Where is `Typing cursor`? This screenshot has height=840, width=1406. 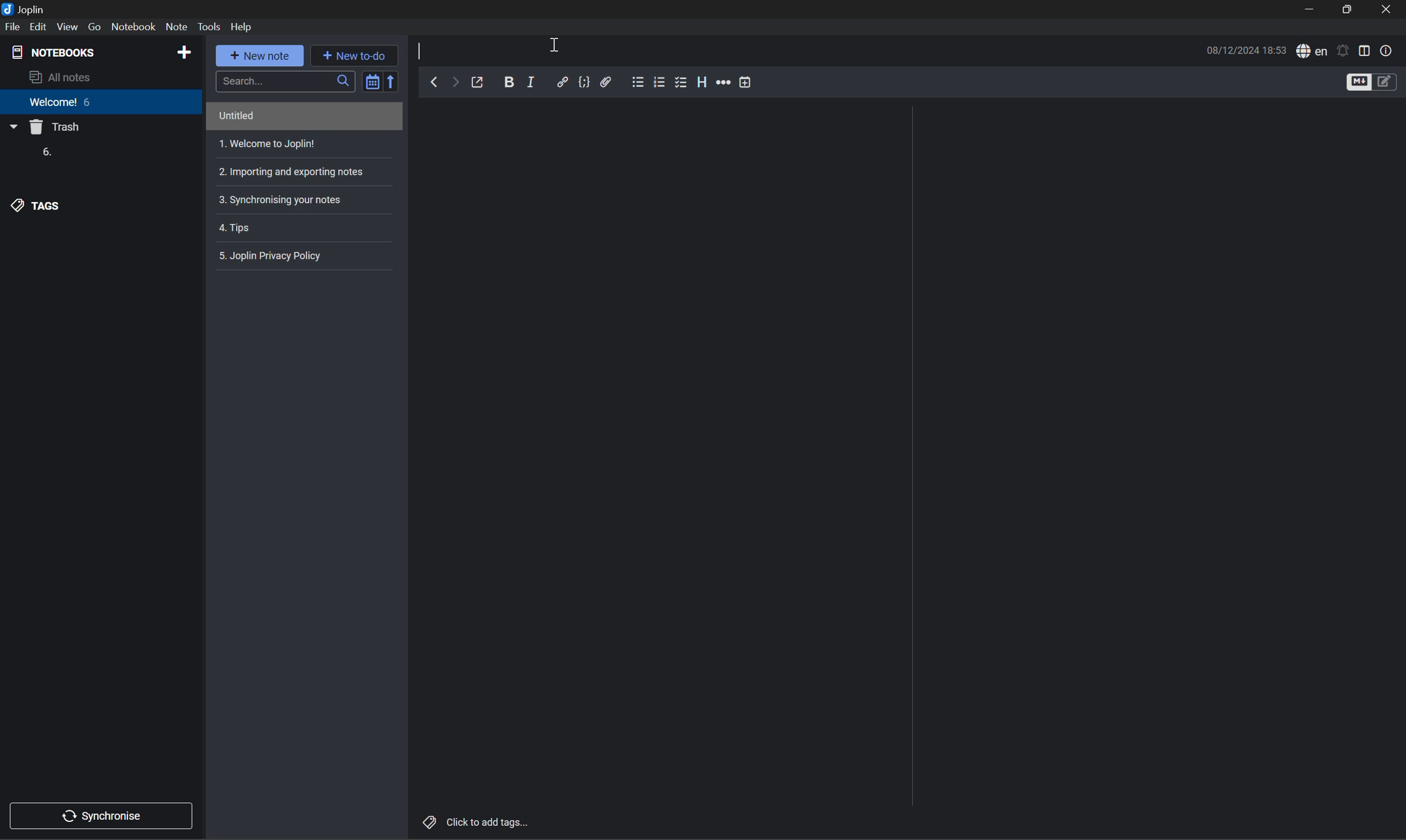 Typing cursor is located at coordinates (421, 49).